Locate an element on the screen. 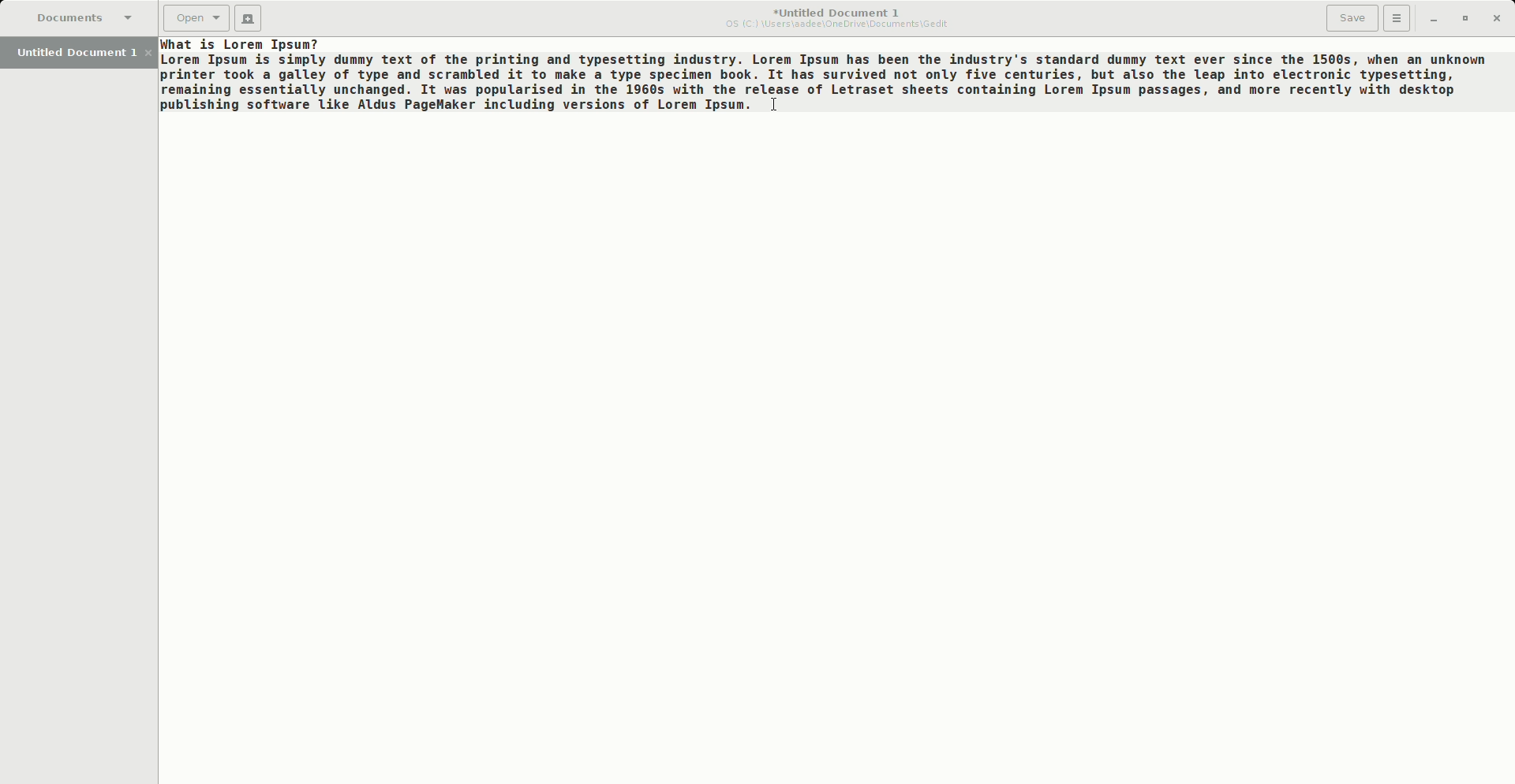 This screenshot has height=784, width=1515. Restore is located at coordinates (1463, 17).